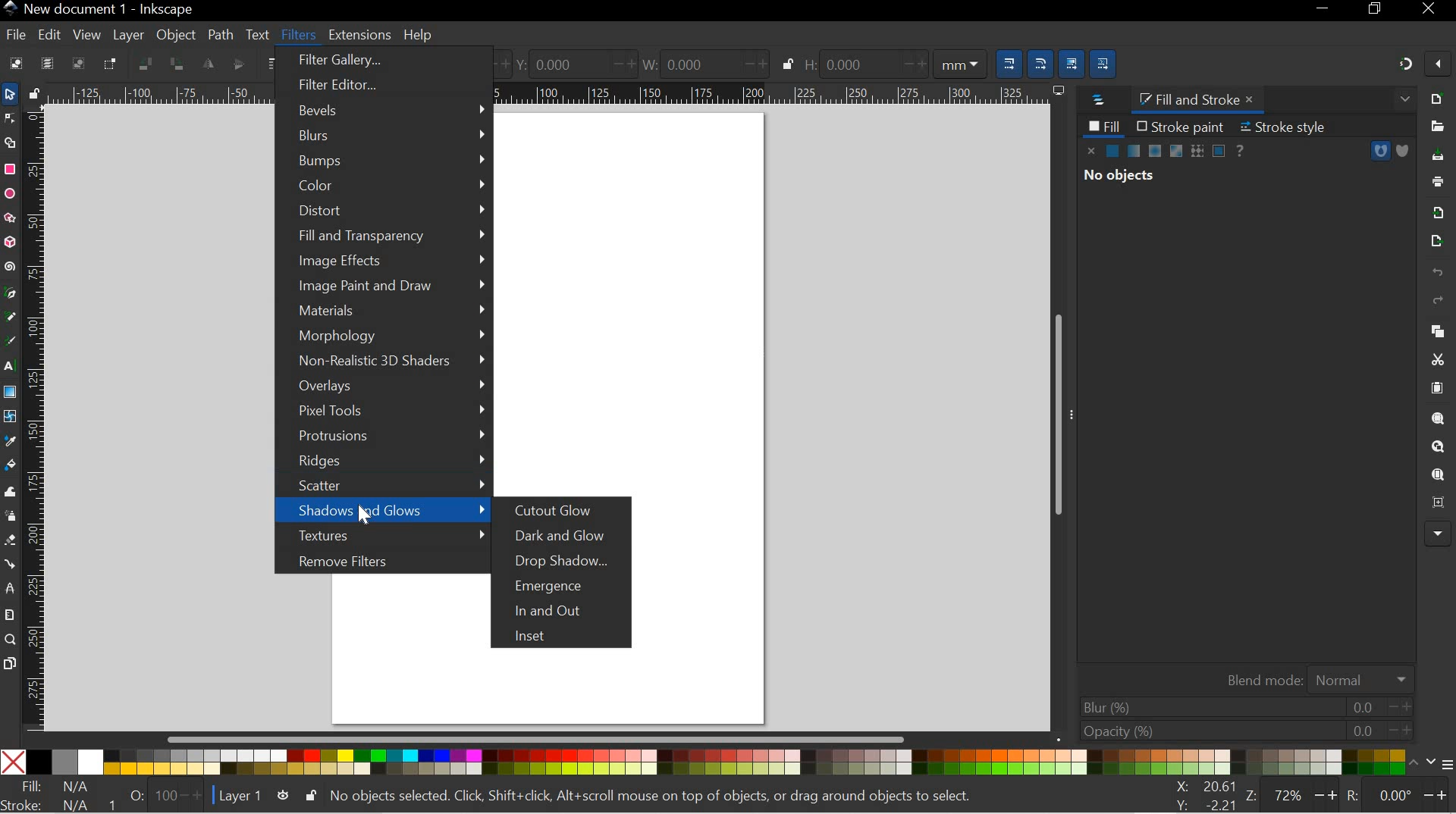  Describe the element at coordinates (1241, 731) in the screenshot. I see `OPACITY` at that location.